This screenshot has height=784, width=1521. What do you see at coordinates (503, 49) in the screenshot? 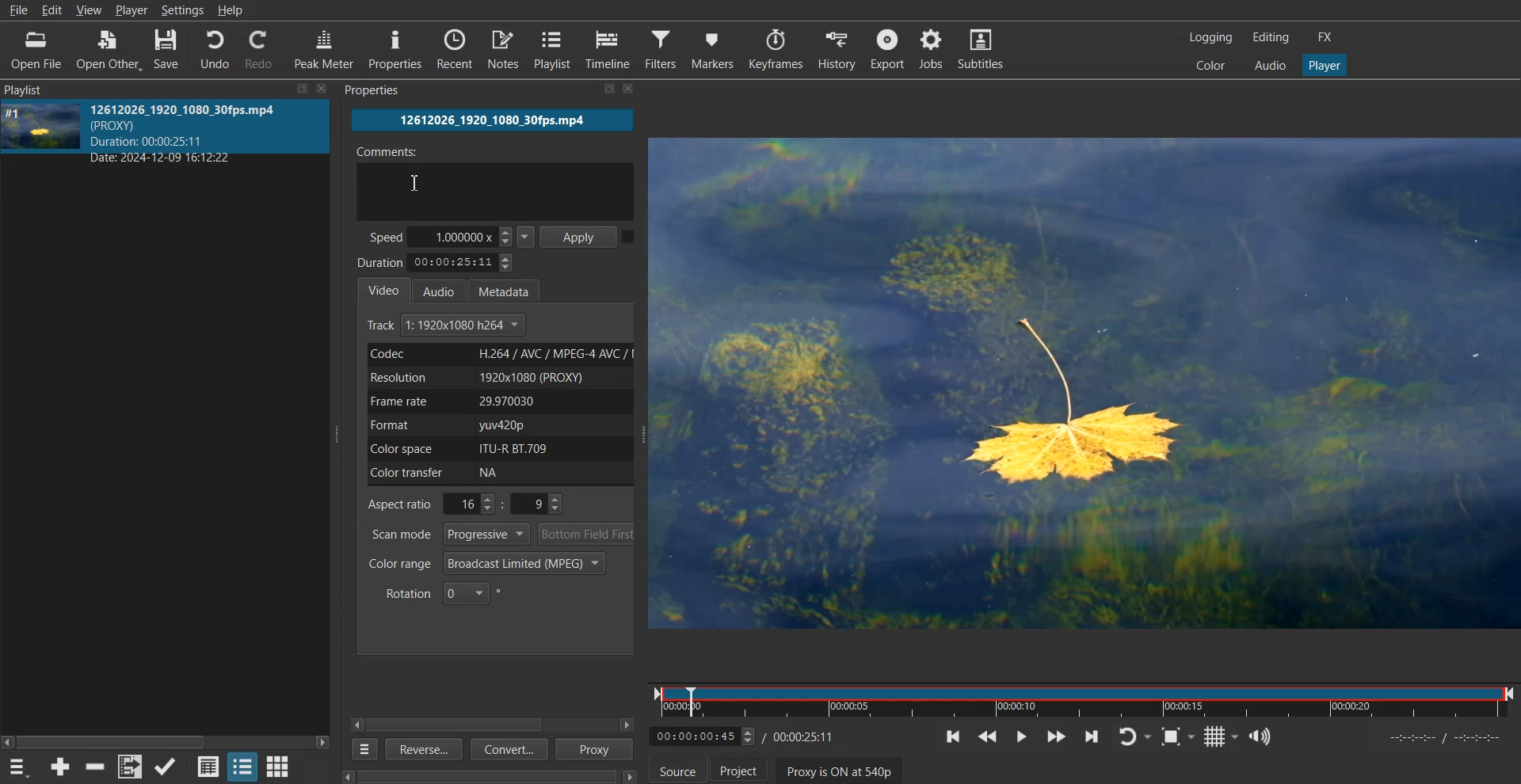
I see `Notes` at bounding box center [503, 49].